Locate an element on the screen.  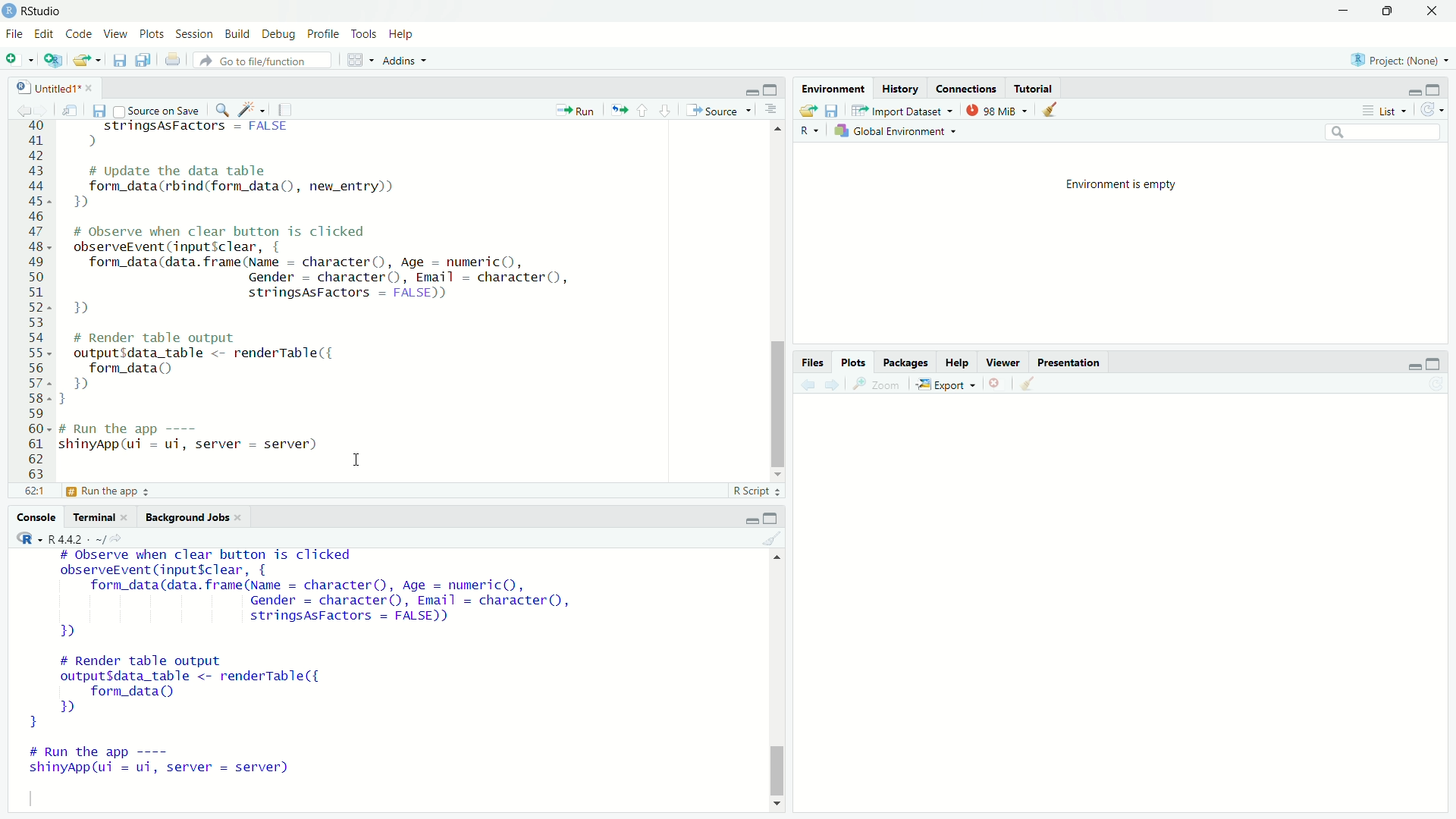
Session is located at coordinates (194, 34).